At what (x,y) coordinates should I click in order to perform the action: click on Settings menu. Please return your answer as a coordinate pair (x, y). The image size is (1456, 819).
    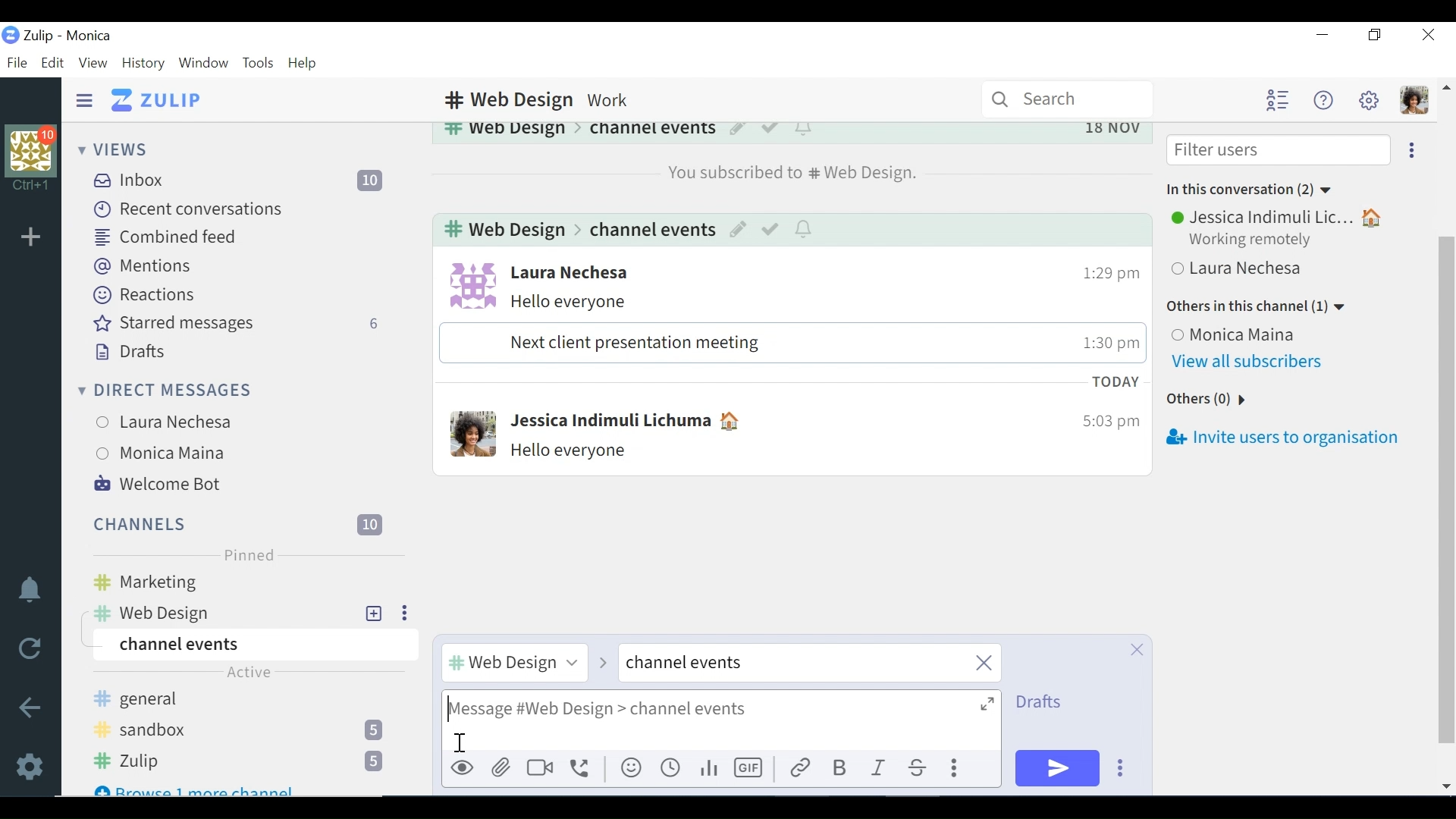
    Looking at the image, I should click on (1369, 99).